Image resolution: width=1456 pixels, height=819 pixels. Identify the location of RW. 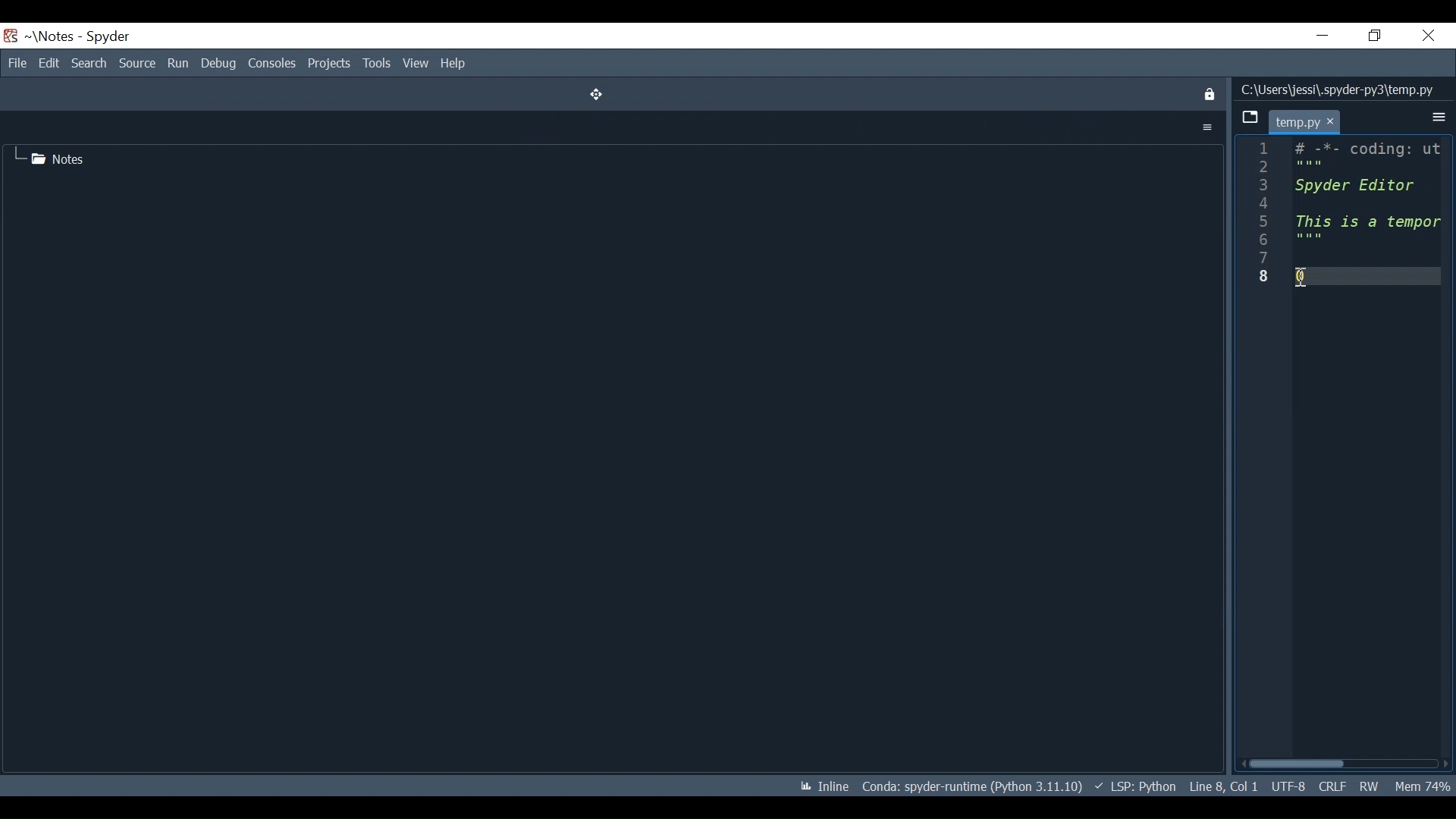
(1369, 783).